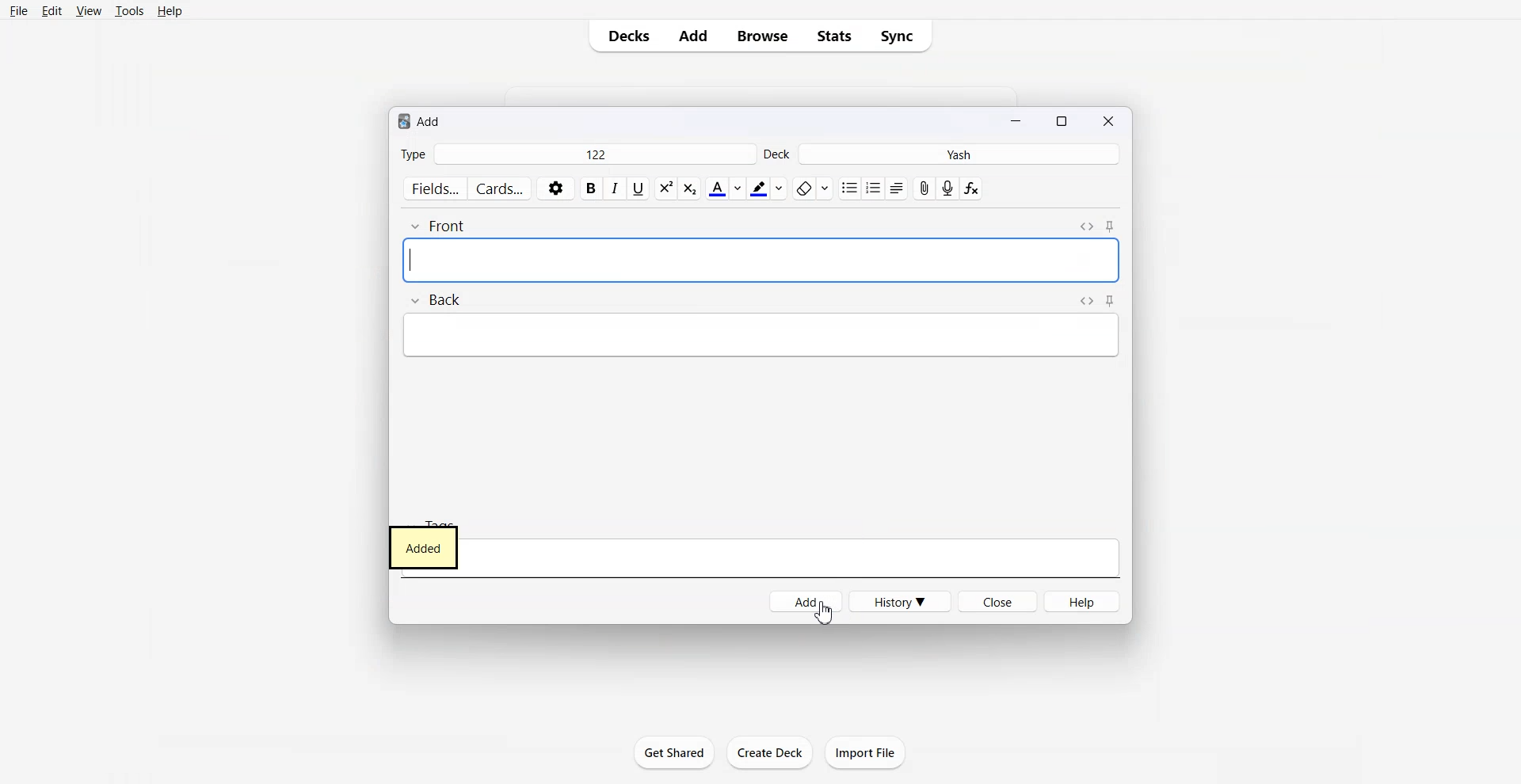 The width and height of the screenshot is (1521, 784). What do you see at coordinates (793, 559) in the screenshot?
I see `Tags` at bounding box center [793, 559].